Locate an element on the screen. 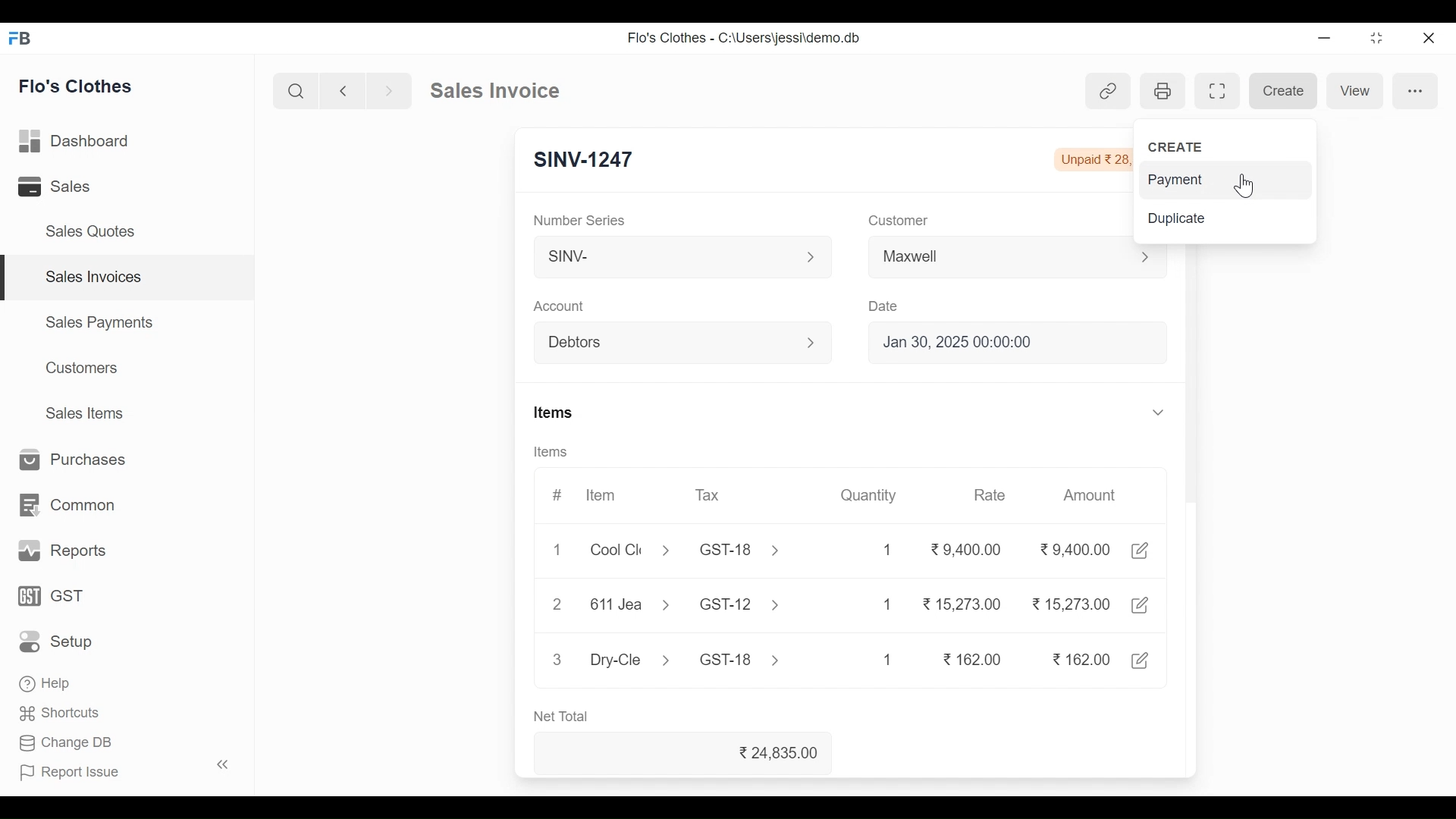 This screenshot has height=819, width=1456. Customers is located at coordinates (84, 368).